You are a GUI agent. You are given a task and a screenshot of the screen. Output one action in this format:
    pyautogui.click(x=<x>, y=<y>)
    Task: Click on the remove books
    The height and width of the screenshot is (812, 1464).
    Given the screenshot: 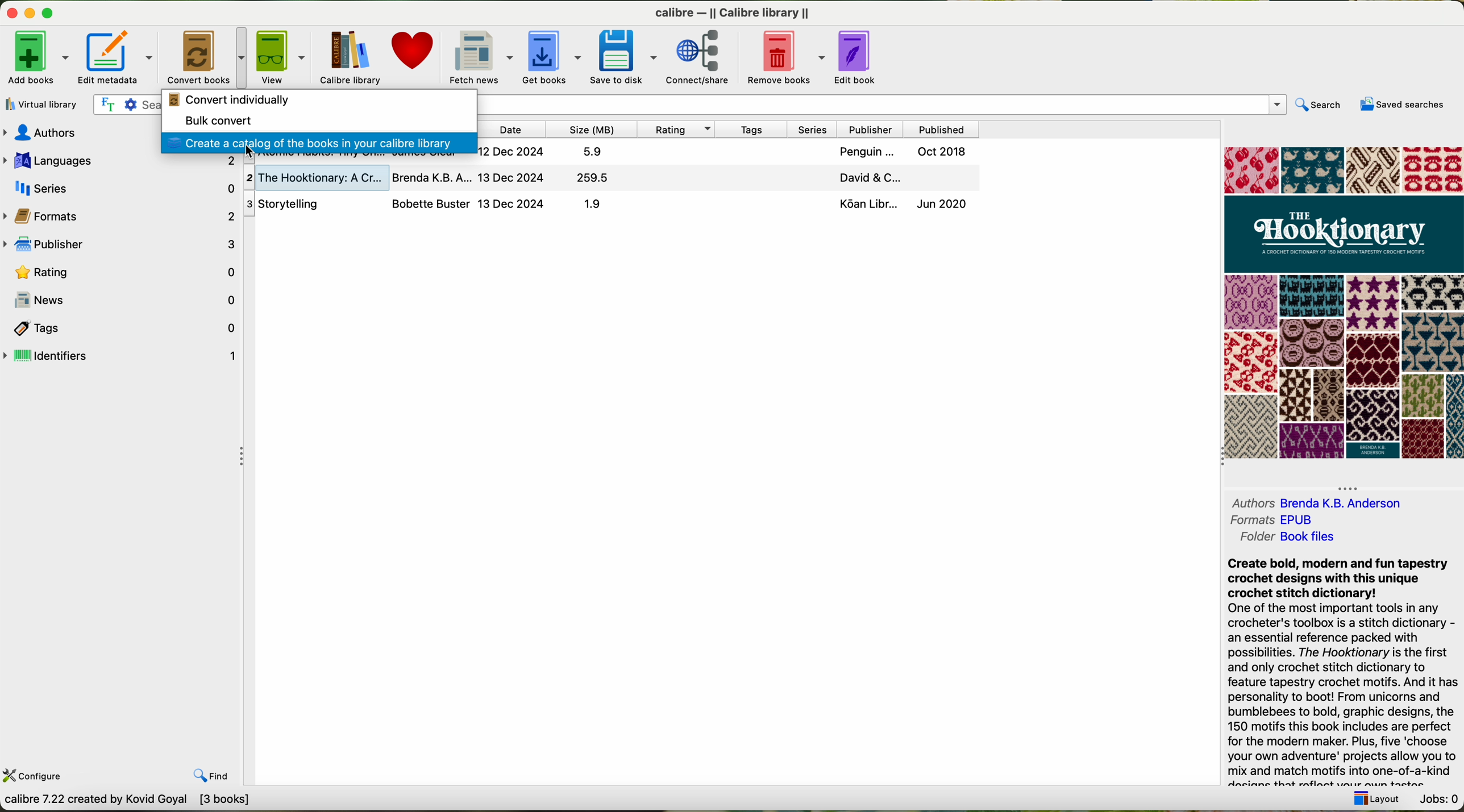 What is the action you would take?
    pyautogui.click(x=787, y=57)
    